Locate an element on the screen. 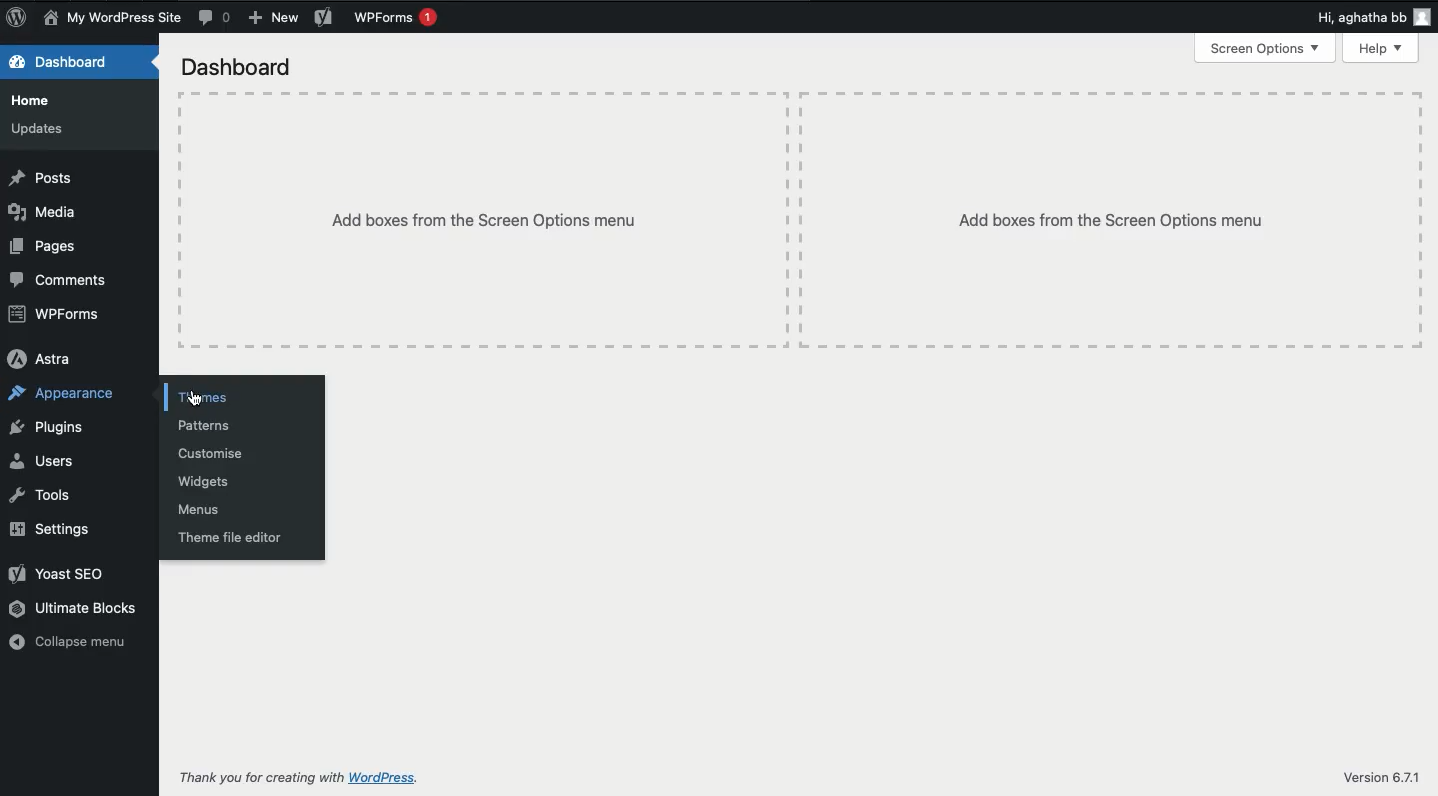 The height and width of the screenshot is (796, 1438). cursor is located at coordinates (196, 400).